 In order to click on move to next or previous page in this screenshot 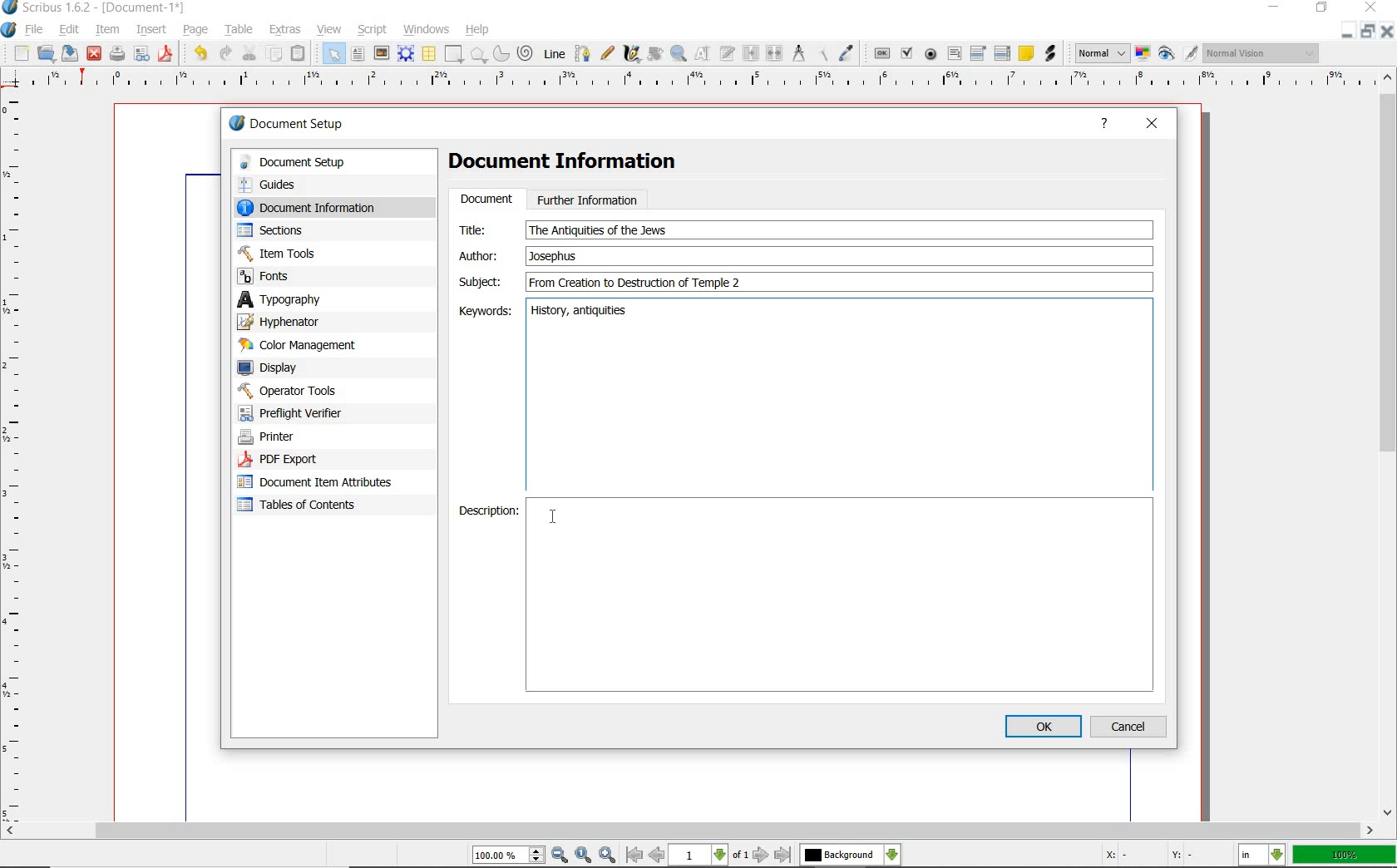, I will do `click(710, 856)`.